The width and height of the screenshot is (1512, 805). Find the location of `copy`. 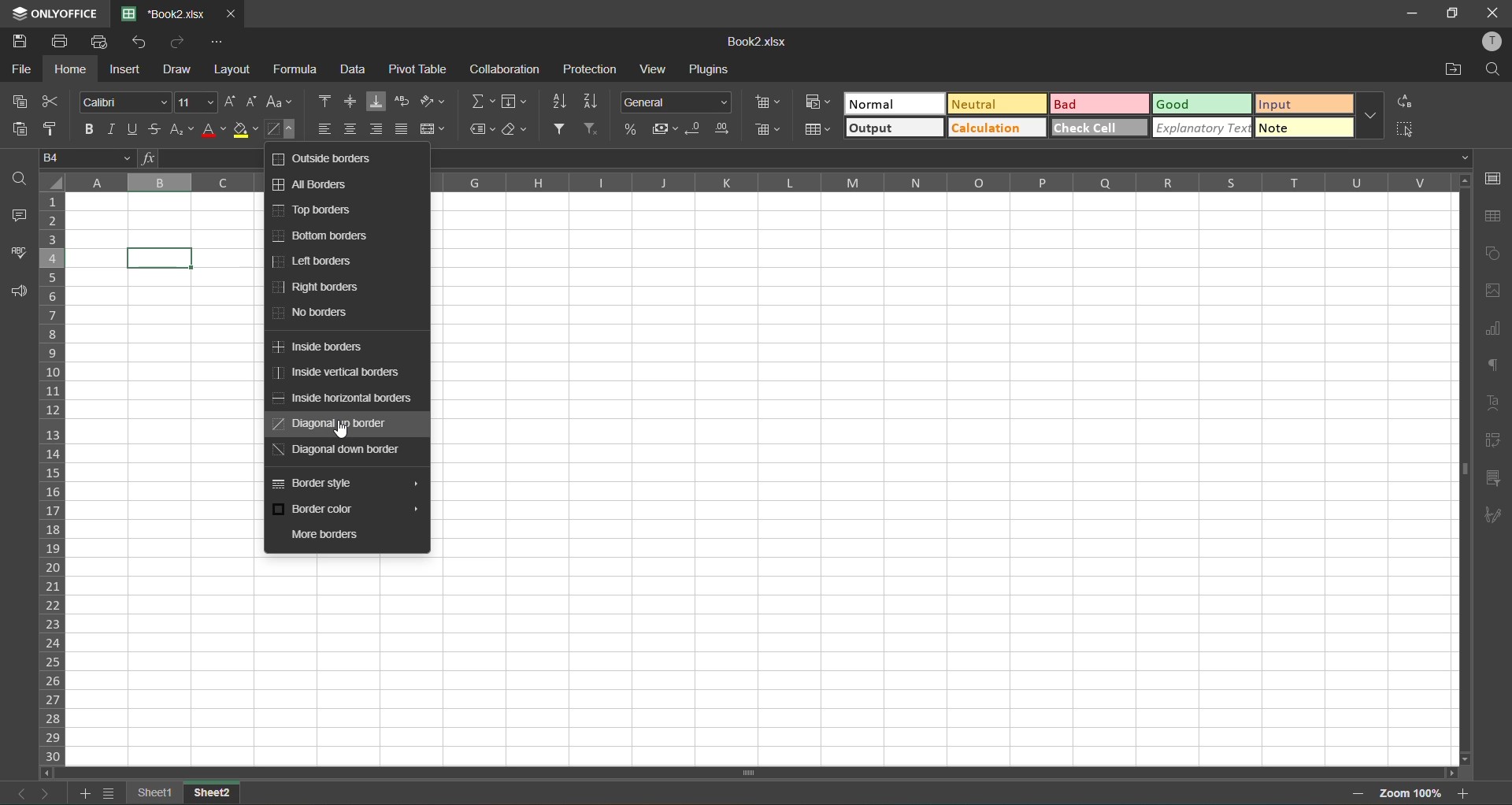

copy is located at coordinates (22, 101).